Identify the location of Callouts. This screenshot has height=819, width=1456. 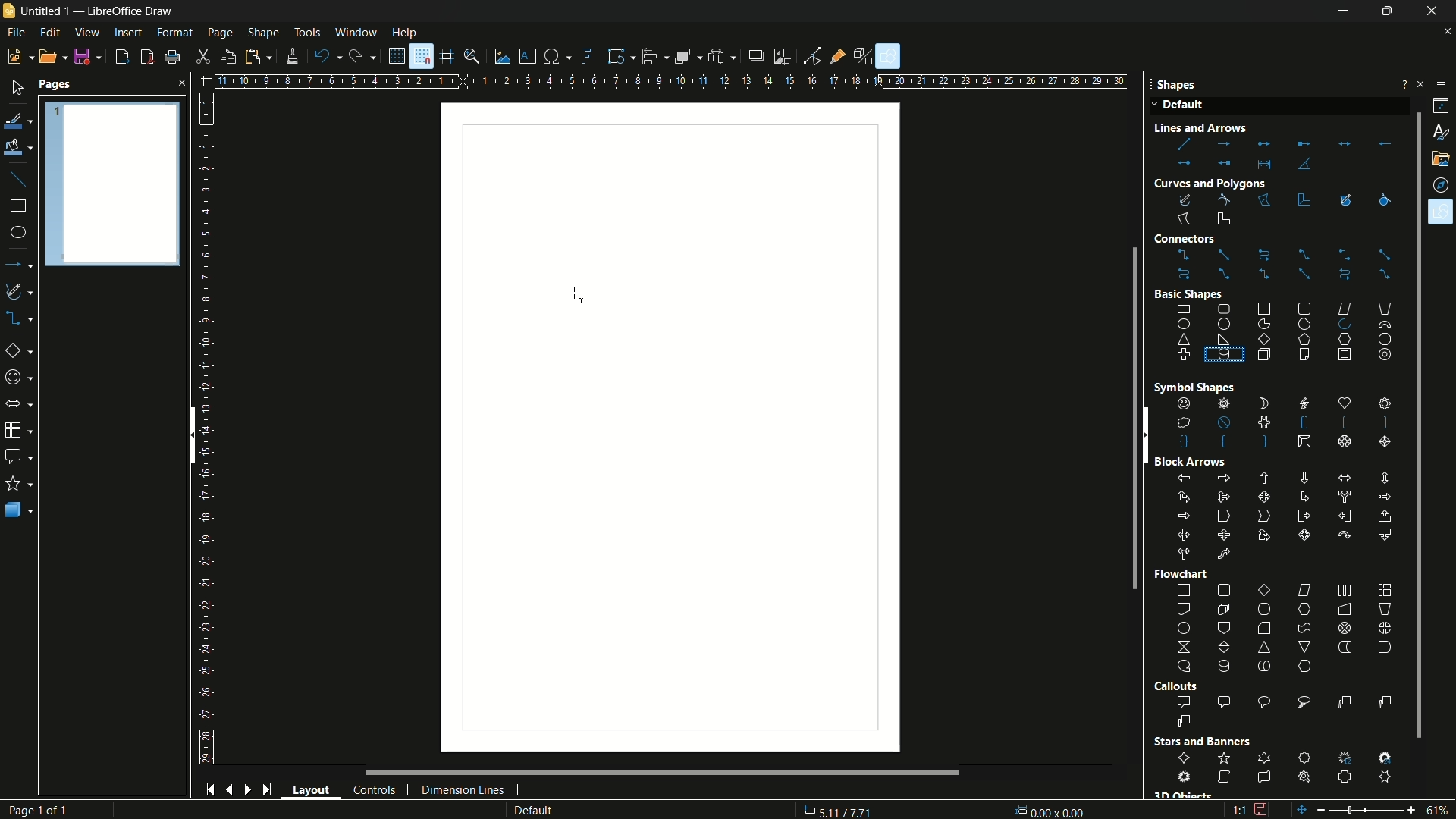
(1175, 686).